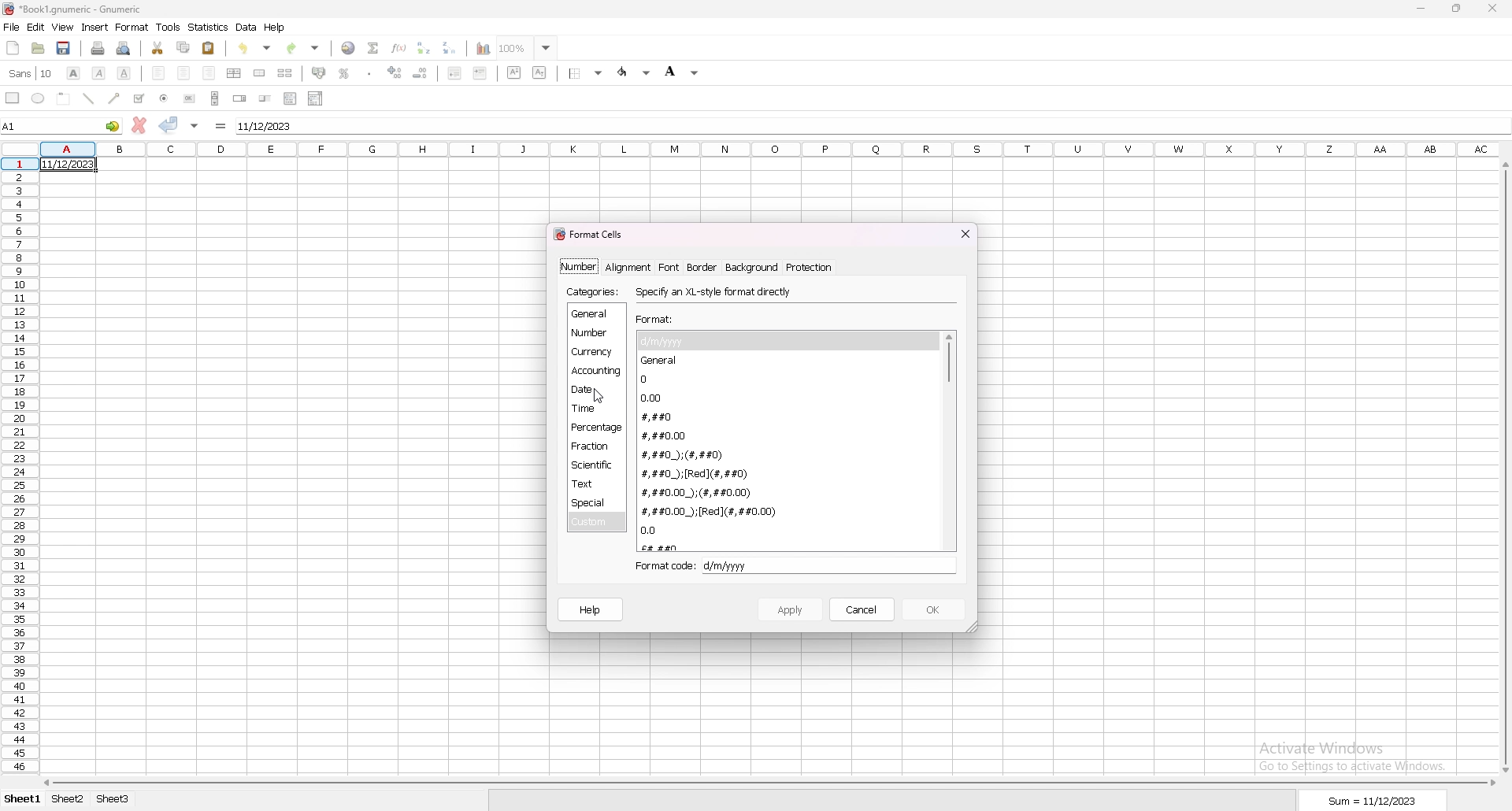 Image resolution: width=1512 pixels, height=811 pixels. What do you see at coordinates (303, 48) in the screenshot?
I see `redo` at bounding box center [303, 48].